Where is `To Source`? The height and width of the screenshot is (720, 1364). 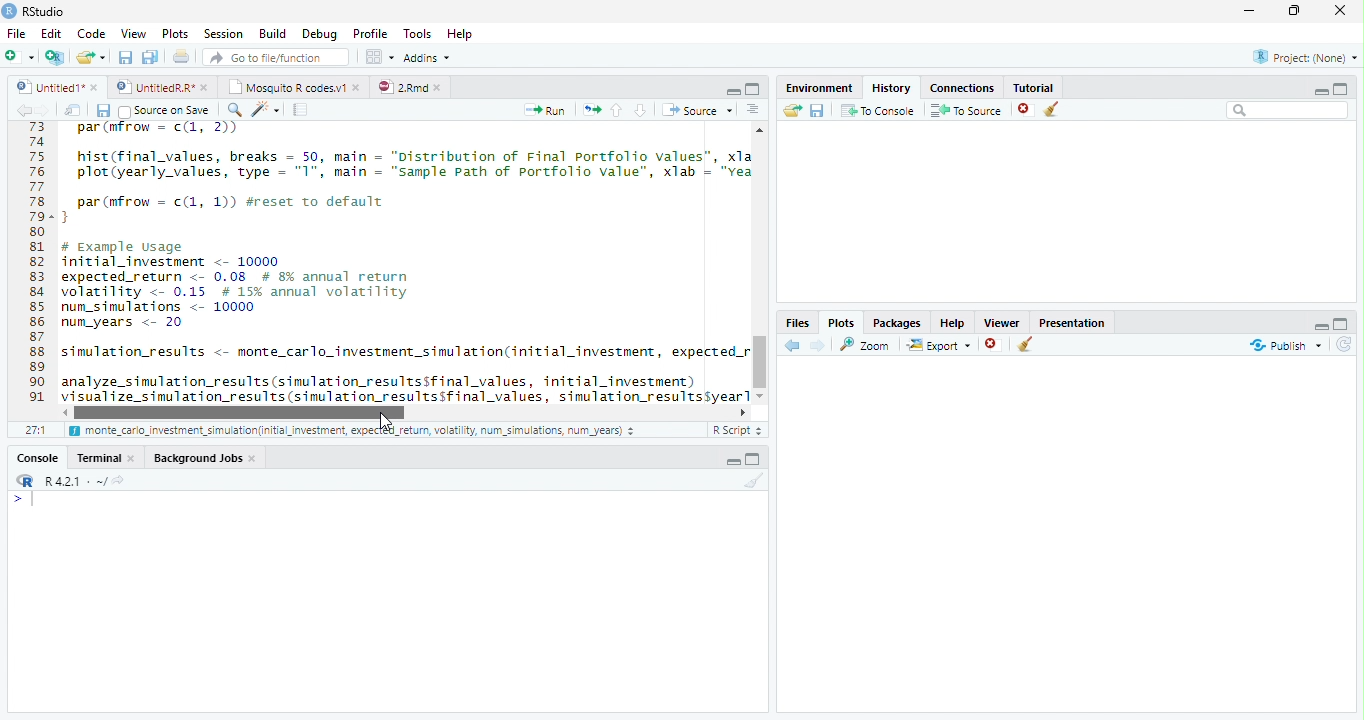
To Source is located at coordinates (966, 110).